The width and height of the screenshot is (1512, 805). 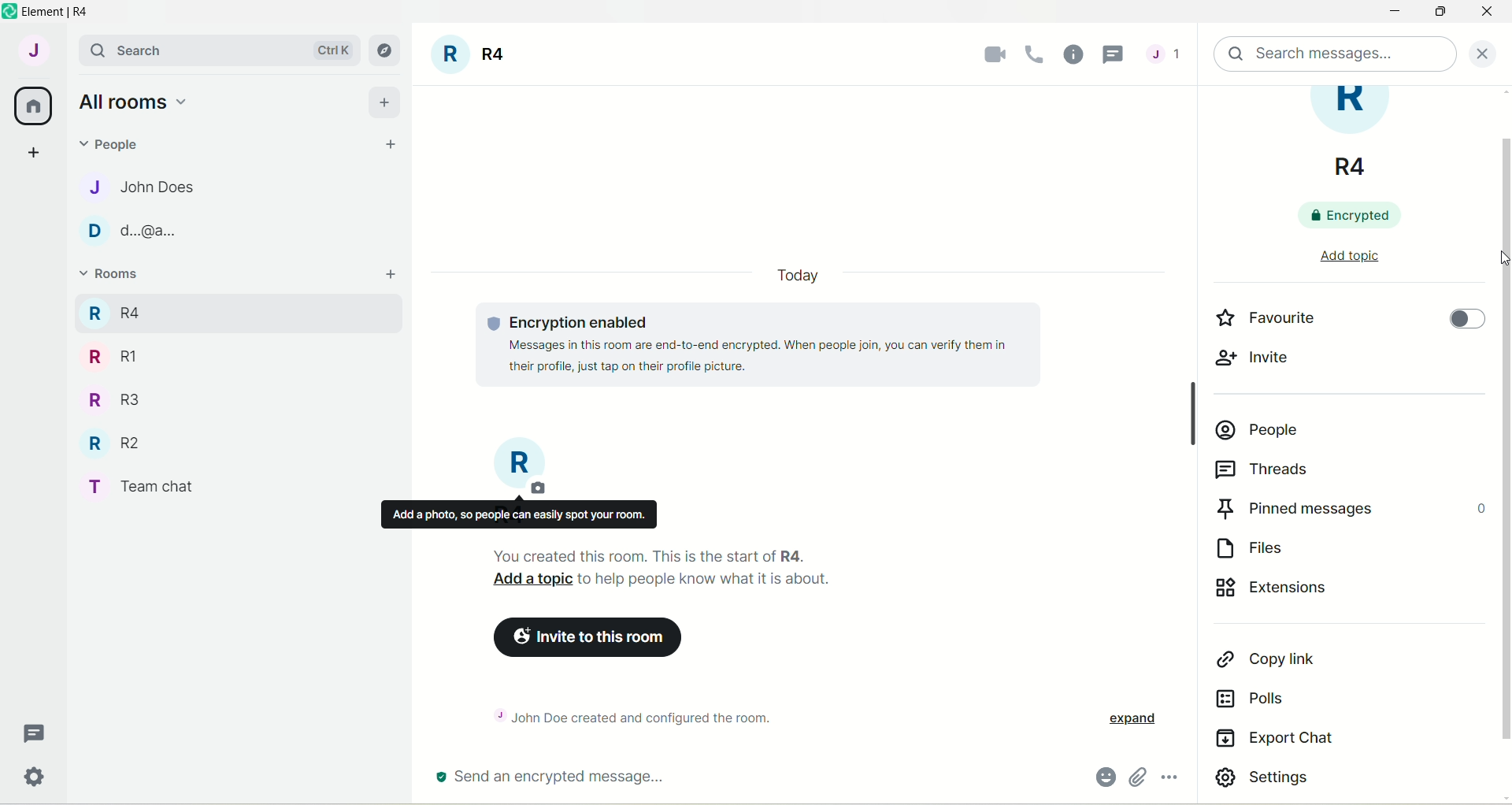 What do you see at coordinates (9, 12) in the screenshot?
I see `logo` at bounding box center [9, 12].